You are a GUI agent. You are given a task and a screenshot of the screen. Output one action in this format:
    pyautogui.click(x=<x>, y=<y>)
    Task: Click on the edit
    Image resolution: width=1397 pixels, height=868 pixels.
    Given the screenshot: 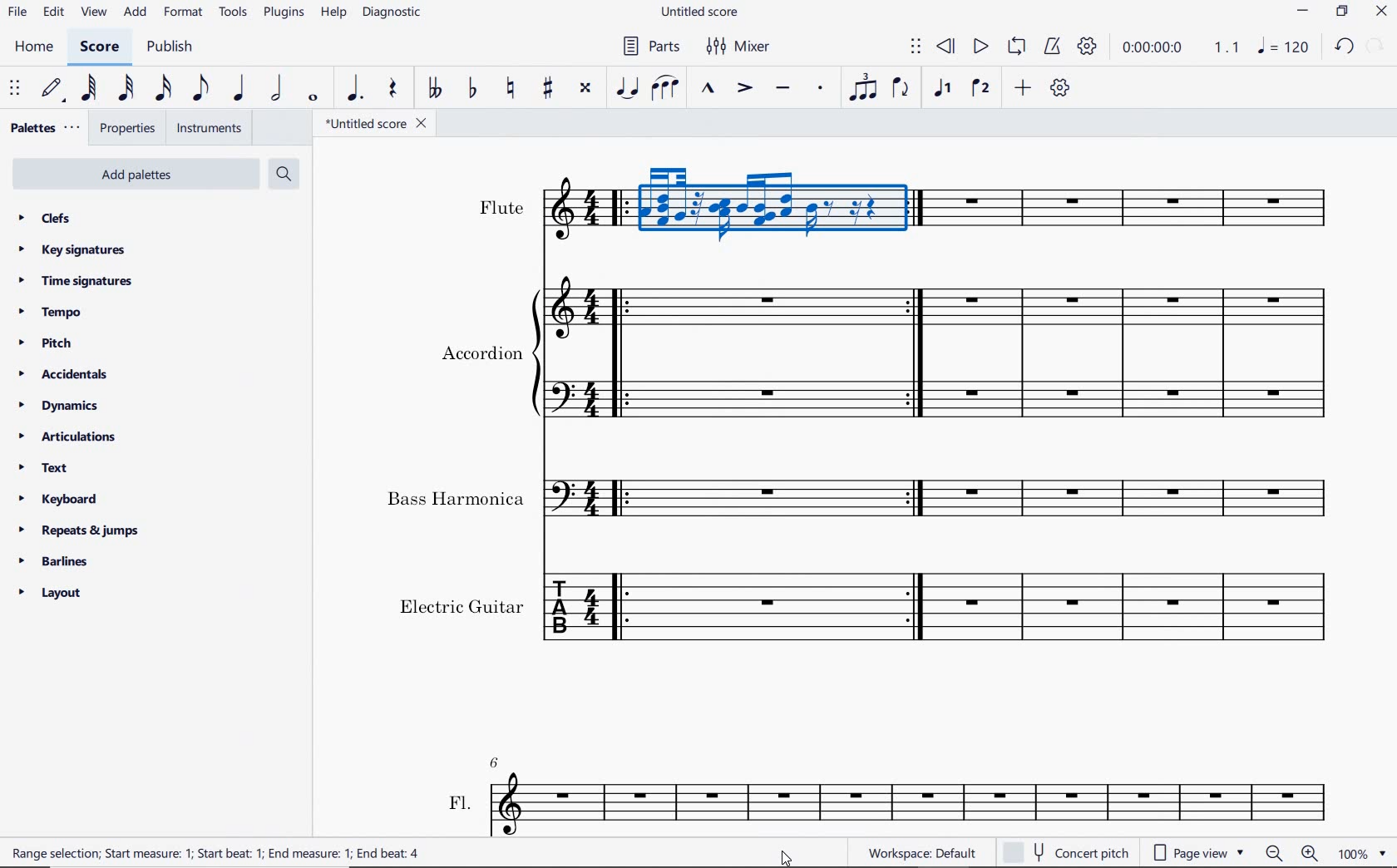 What is the action you would take?
    pyautogui.click(x=52, y=12)
    